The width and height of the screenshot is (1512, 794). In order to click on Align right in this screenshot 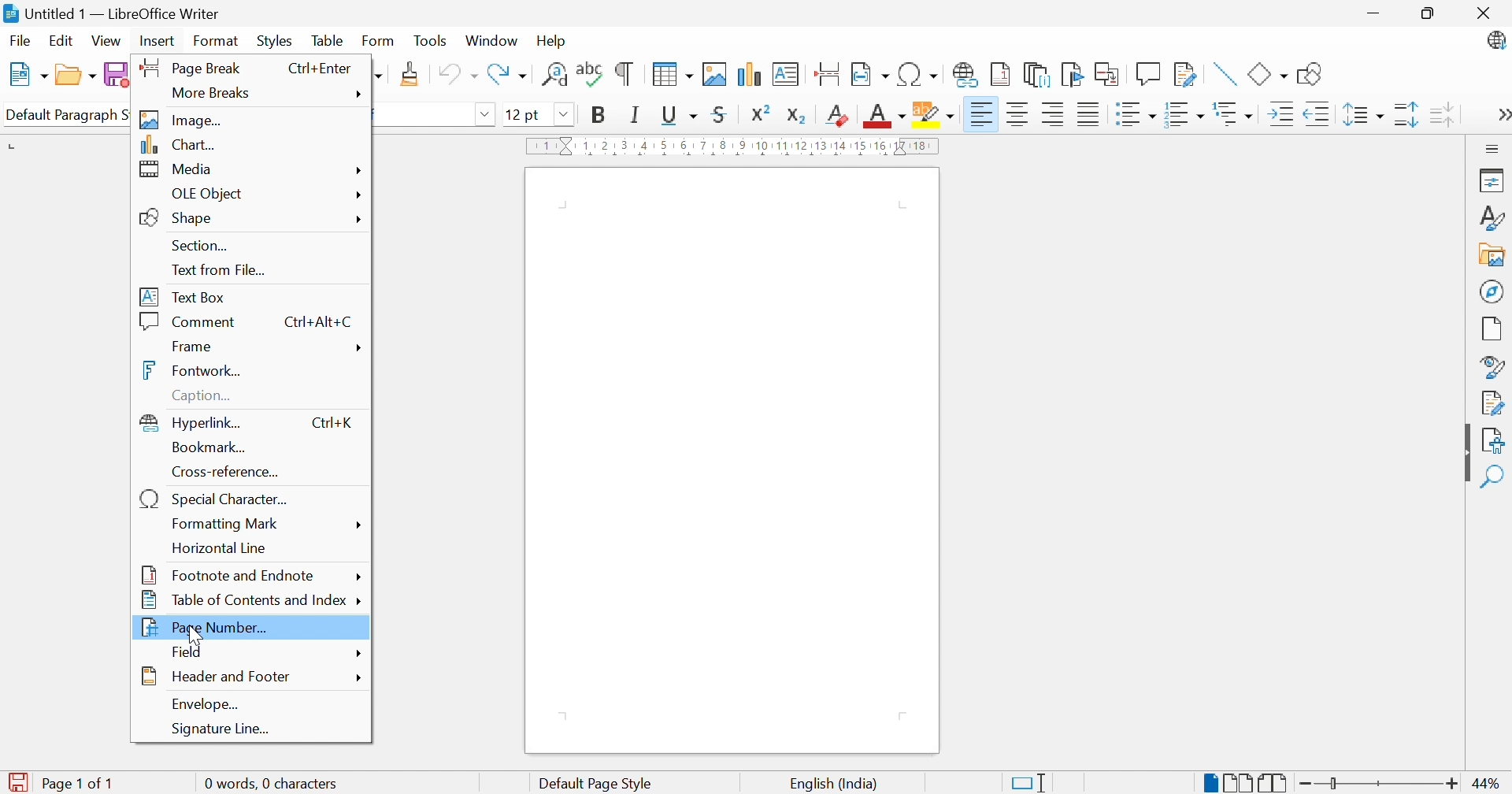, I will do `click(1053, 114)`.